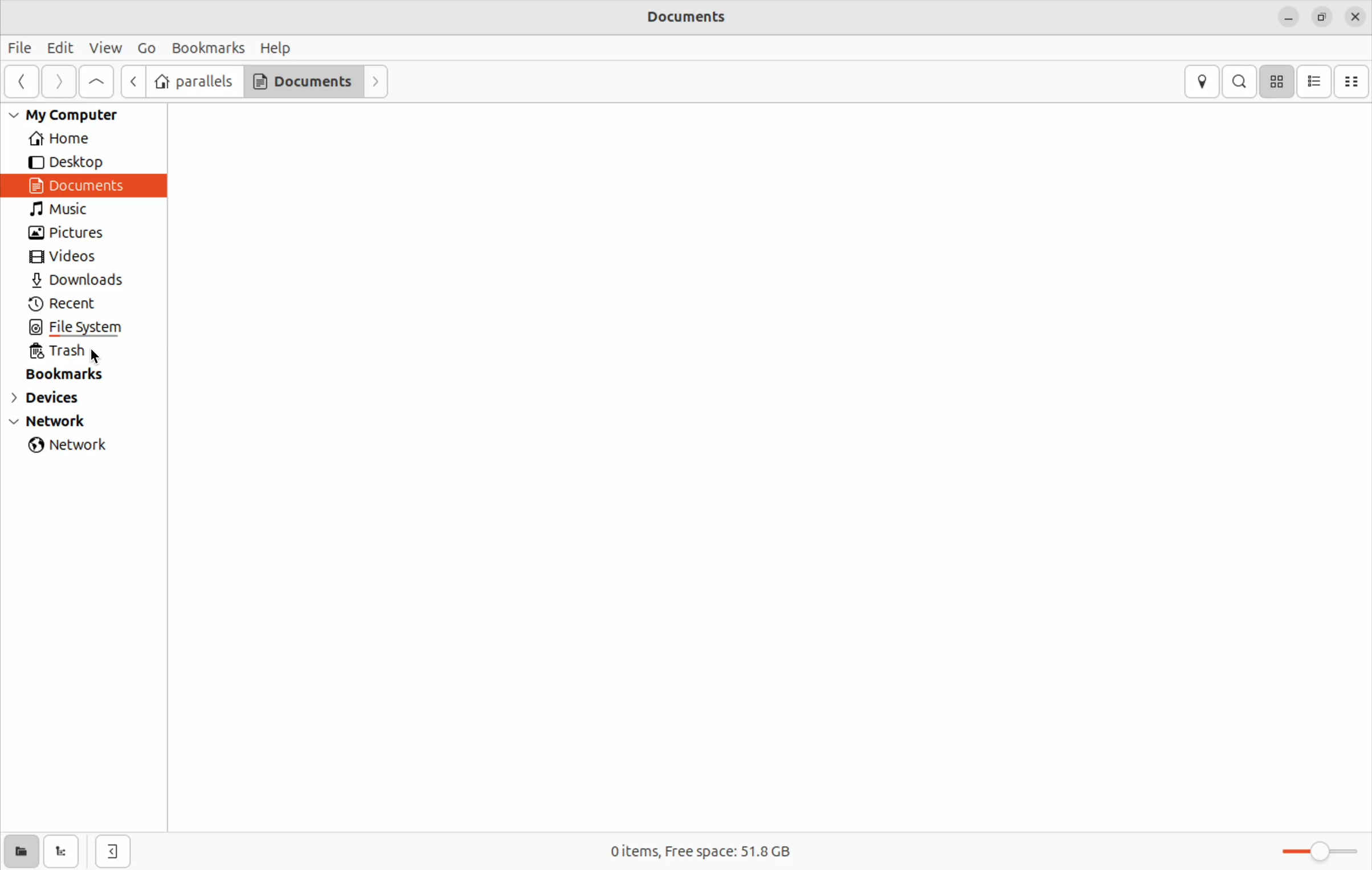  Describe the element at coordinates (61, 47) in the screenshot. I see `Edit` at that location.